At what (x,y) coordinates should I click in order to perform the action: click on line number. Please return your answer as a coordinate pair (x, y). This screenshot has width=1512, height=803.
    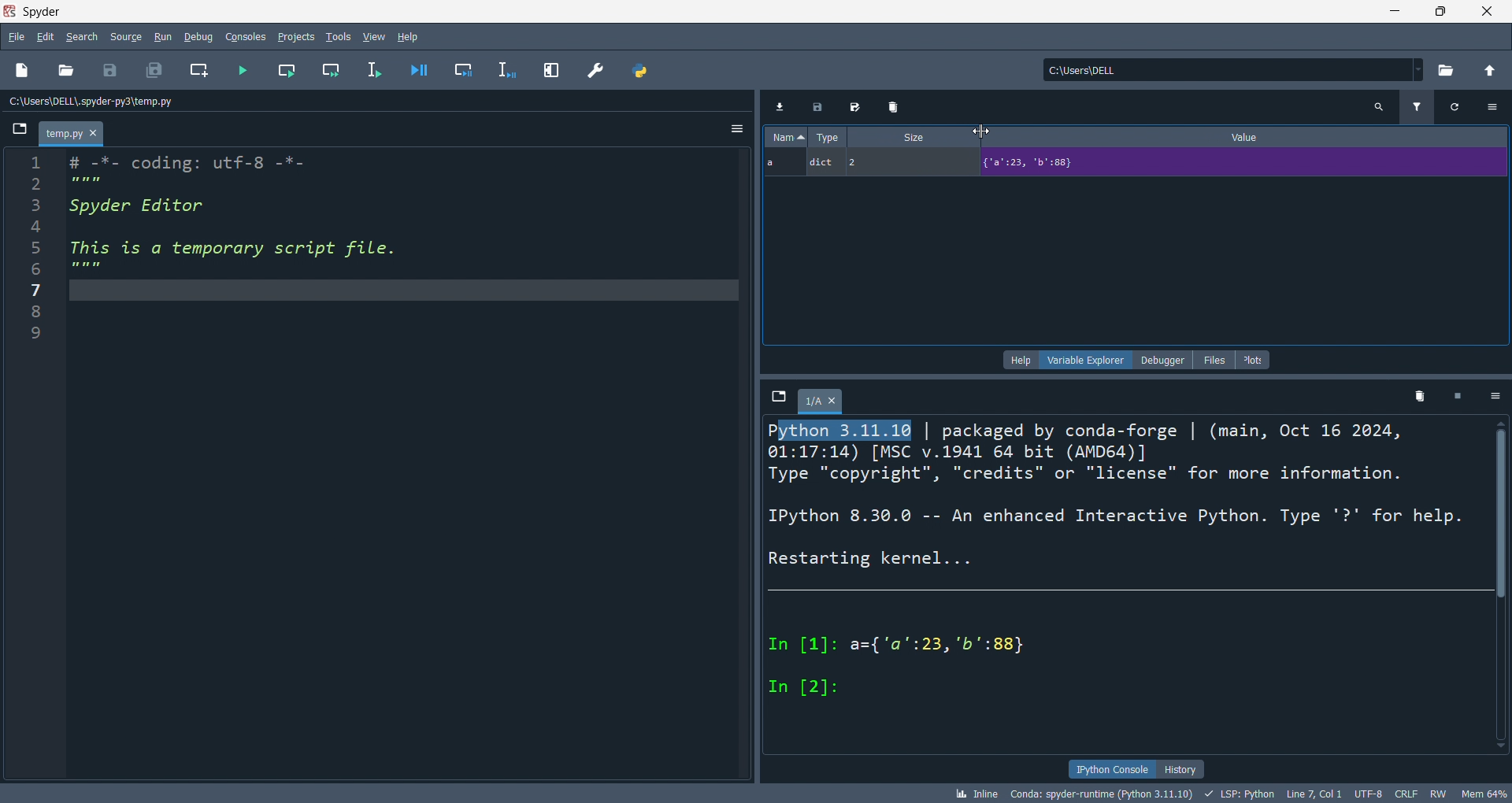
    Looking at the image, I should click on (33, 462).